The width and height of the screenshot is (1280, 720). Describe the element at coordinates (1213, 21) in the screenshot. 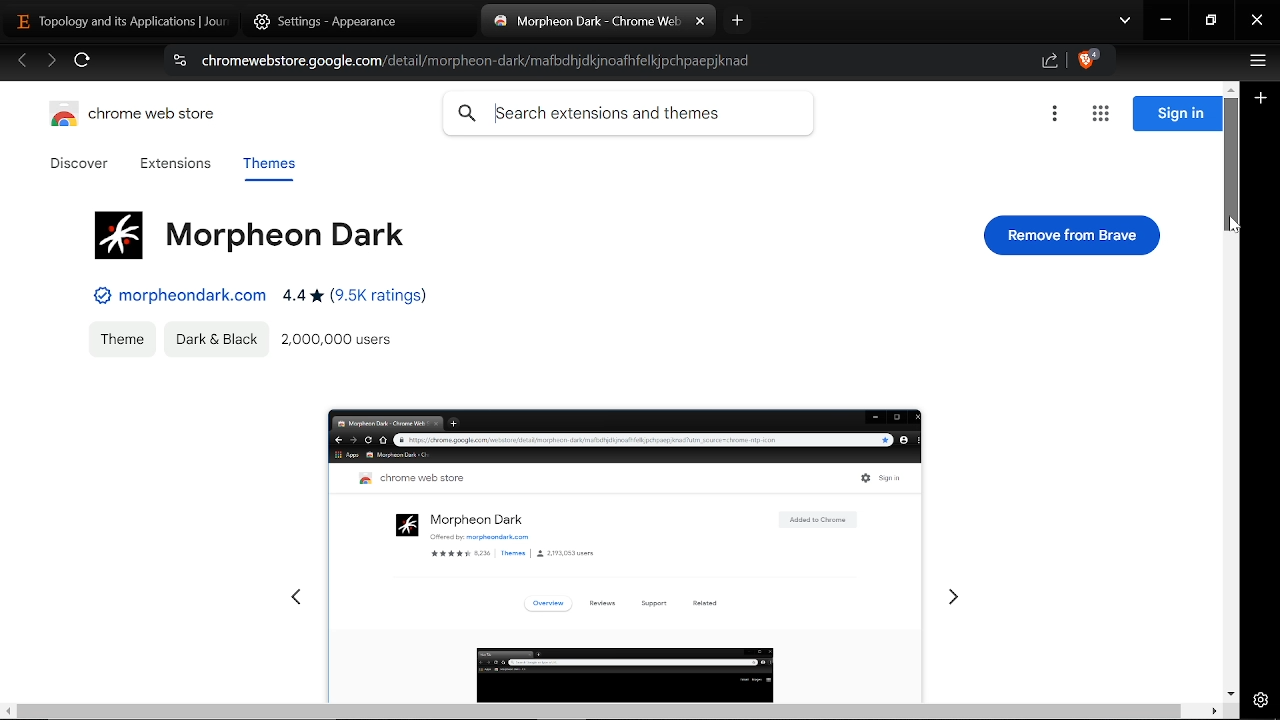

I see `REstore down` at that location.